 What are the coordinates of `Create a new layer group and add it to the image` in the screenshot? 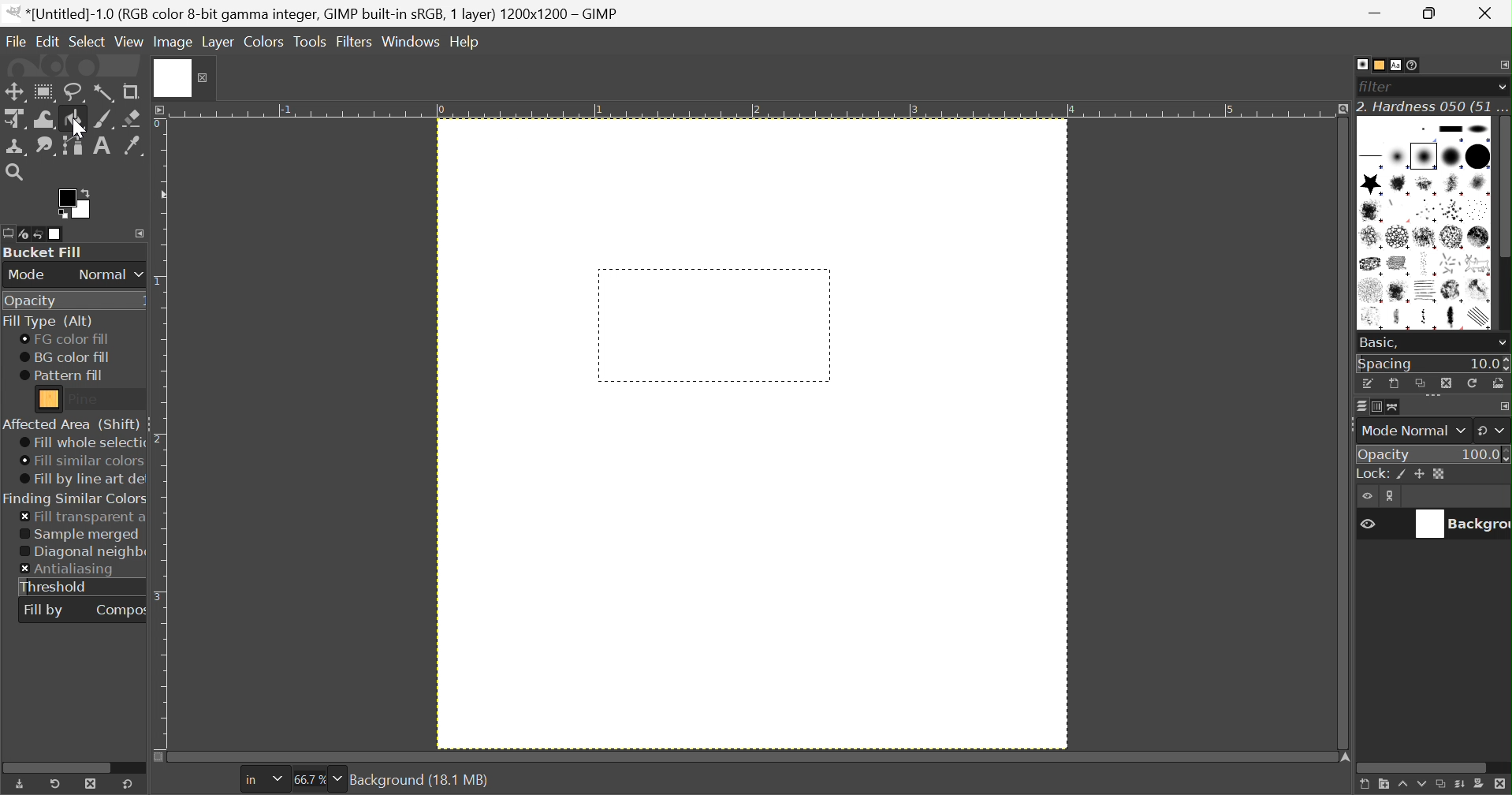 It's located at (1382, 786).